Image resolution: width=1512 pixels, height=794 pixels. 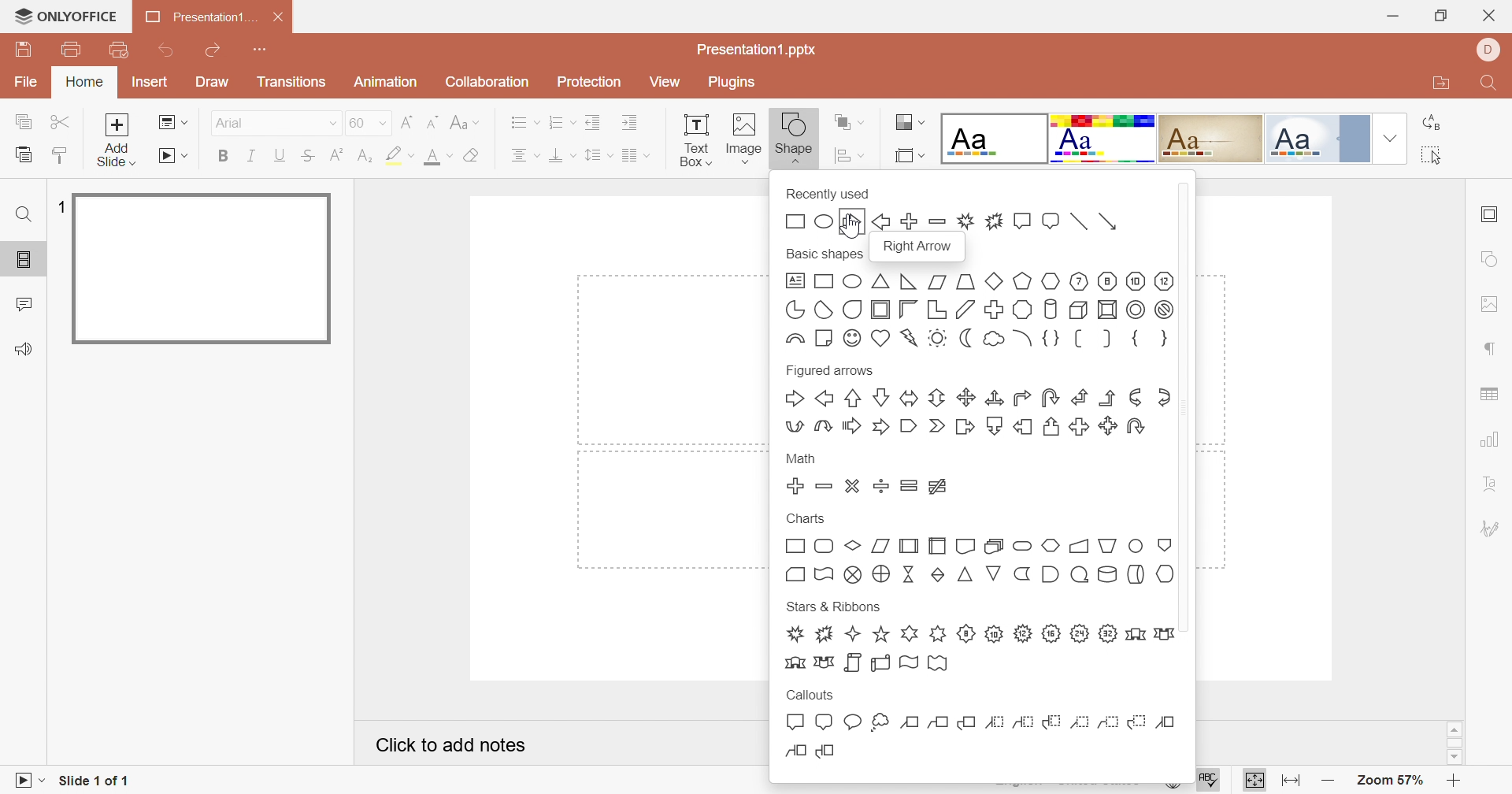 I want to click on Image, so click(x=742, y=139).